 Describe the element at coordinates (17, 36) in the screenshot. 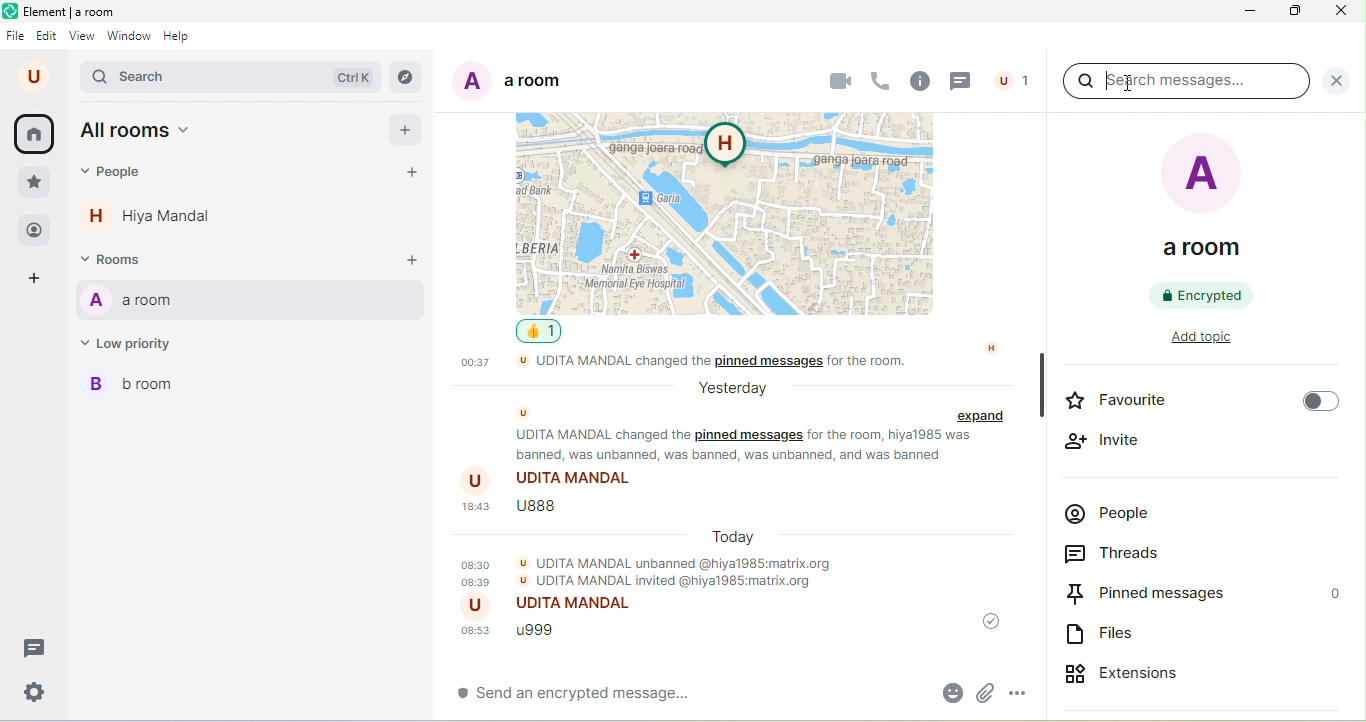

I see `file` at that location.